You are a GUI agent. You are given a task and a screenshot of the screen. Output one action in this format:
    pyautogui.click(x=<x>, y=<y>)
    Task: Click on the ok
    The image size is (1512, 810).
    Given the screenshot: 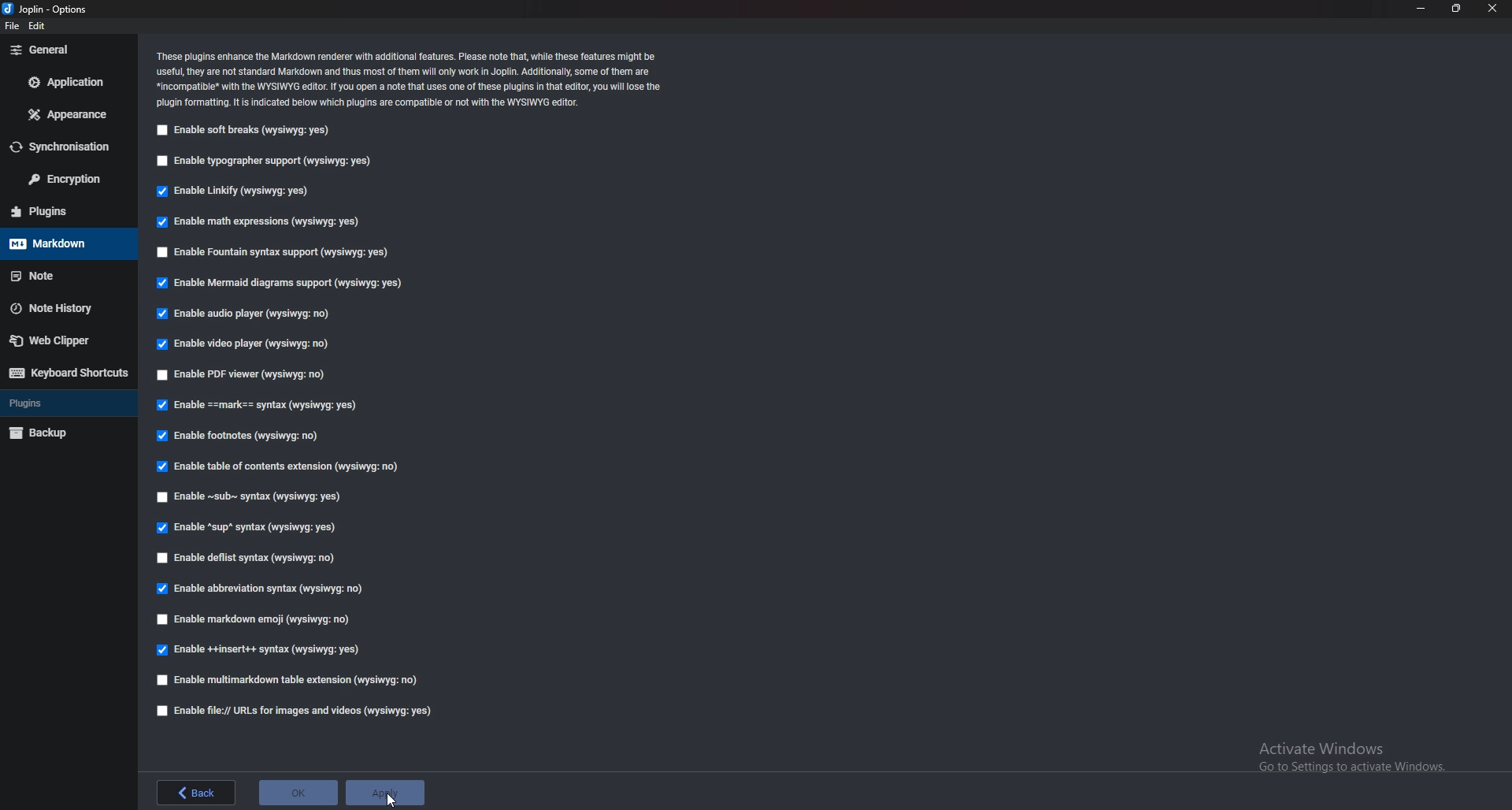 What is the action you would take?
    pyautogui.click(x=298, y=791)
    